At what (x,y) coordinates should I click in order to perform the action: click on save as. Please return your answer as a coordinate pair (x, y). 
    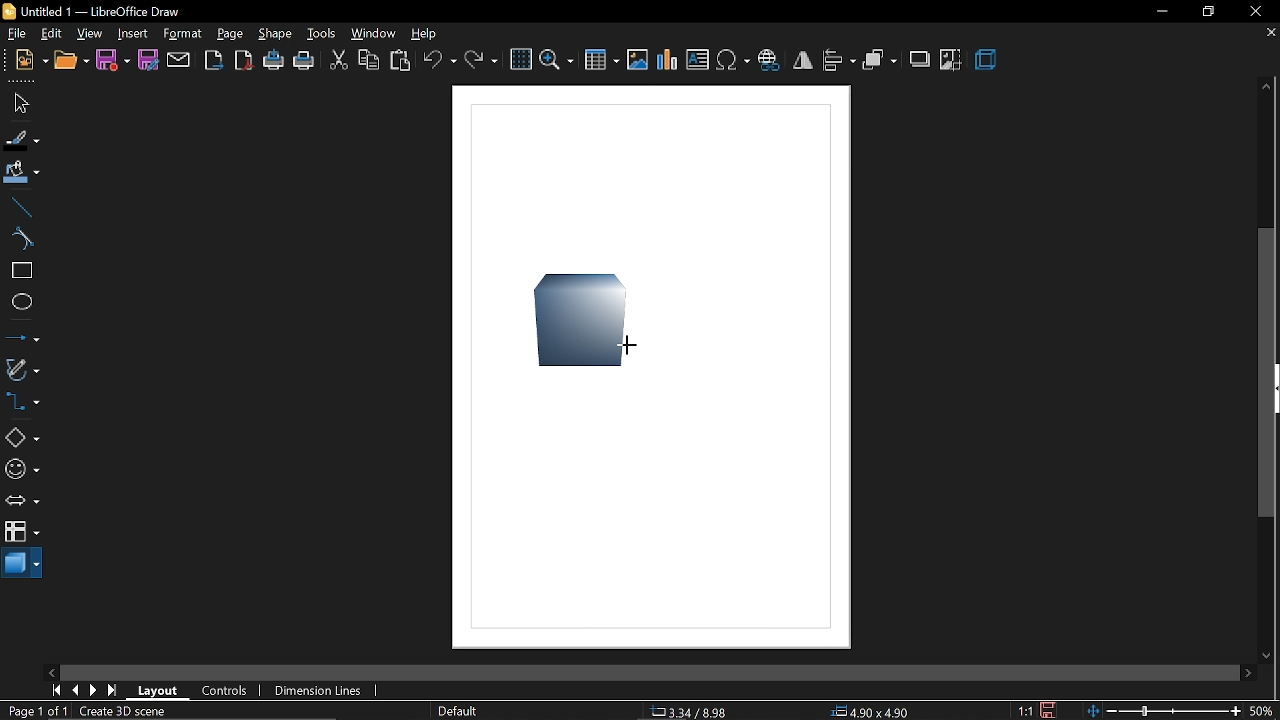
    Looking at the image, I should click on (149, 60).